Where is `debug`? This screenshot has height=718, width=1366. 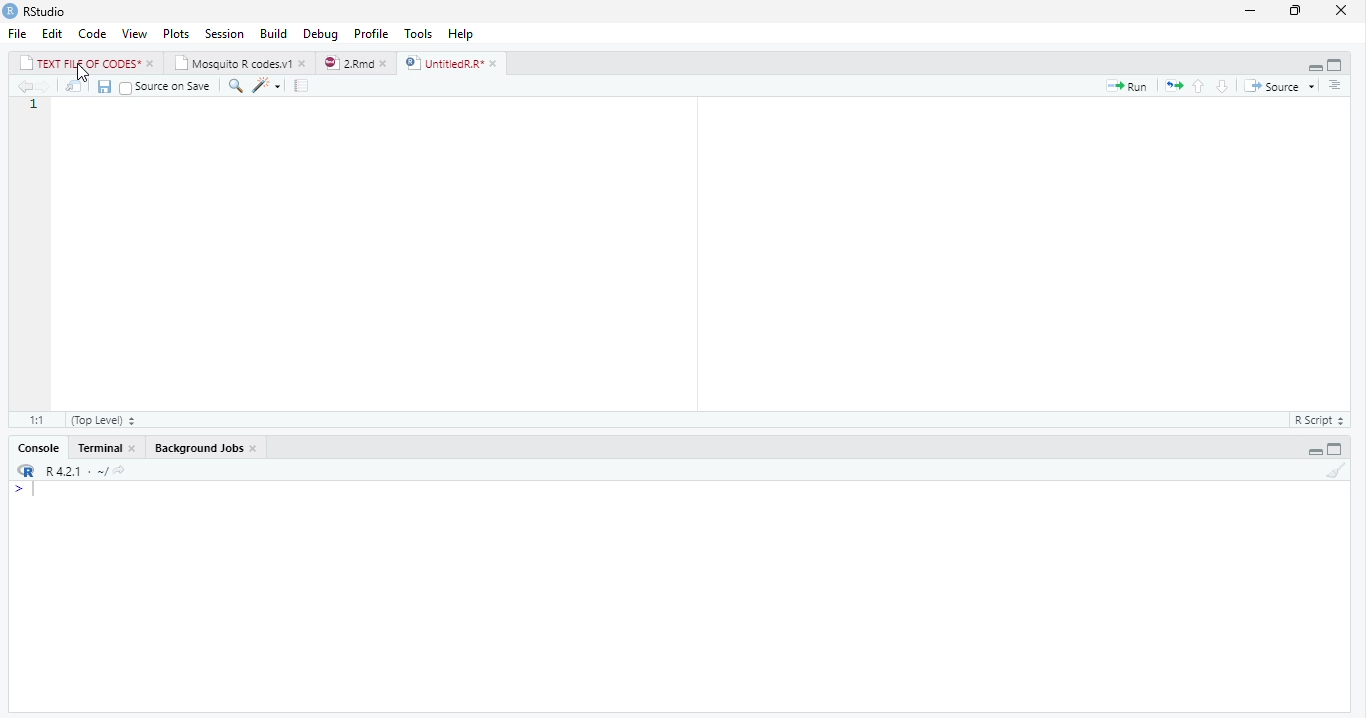
debug is located at coordinates (321, 33).